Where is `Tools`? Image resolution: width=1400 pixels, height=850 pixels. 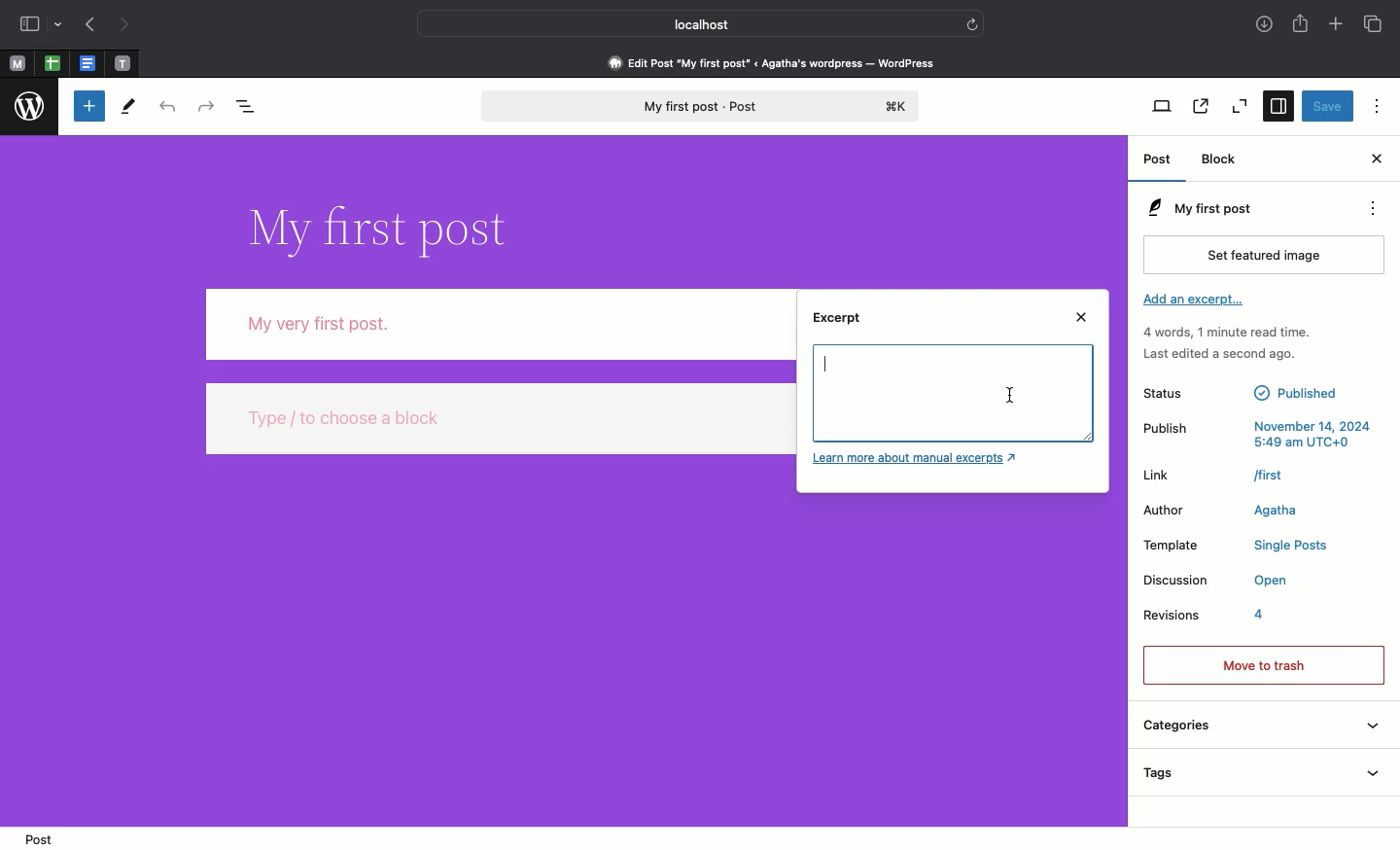 Tools is located at coordinates (129, 106).